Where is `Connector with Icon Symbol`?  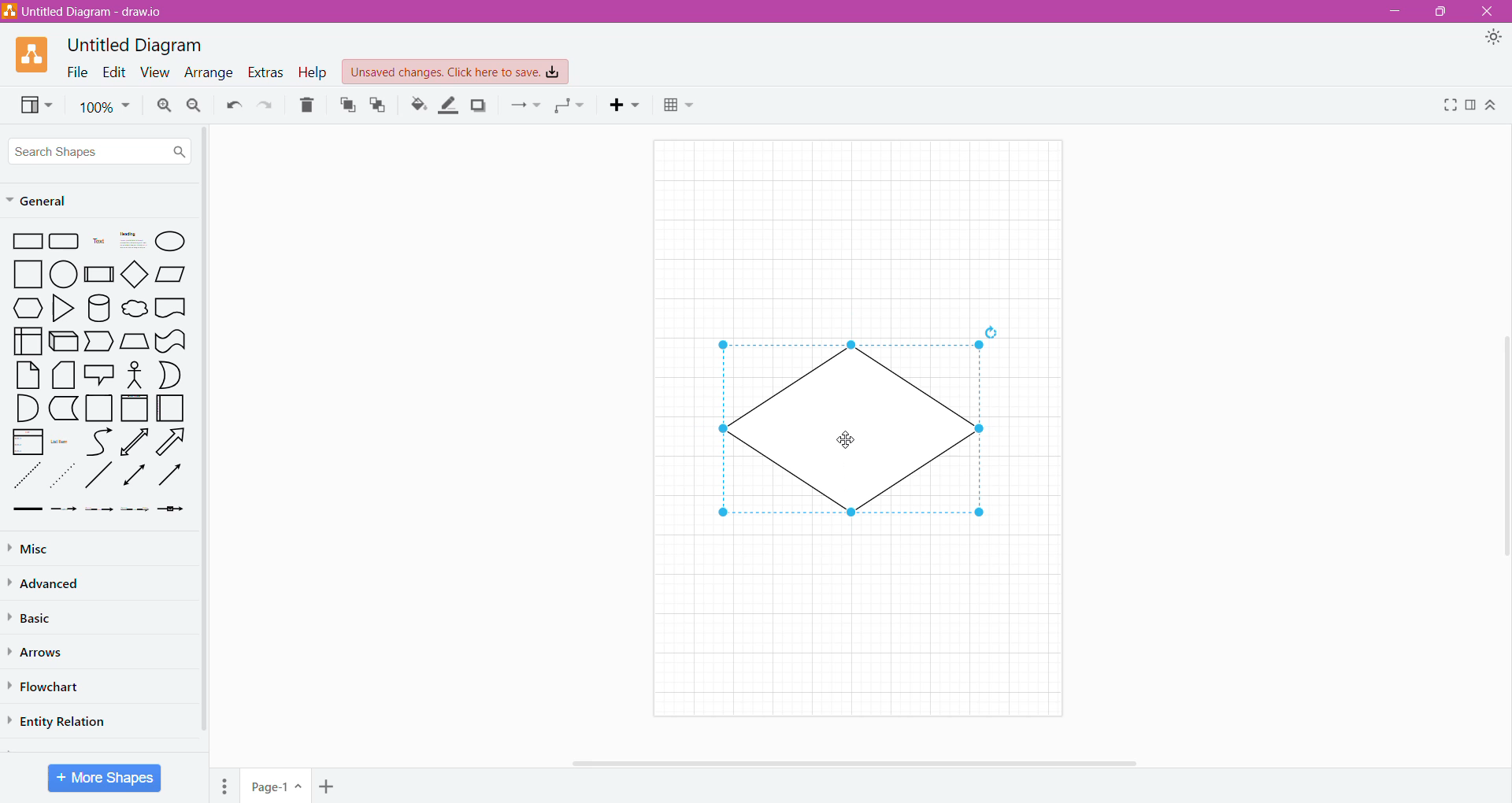
Connector with Icon Symbol is located at coordinates (175, 510).